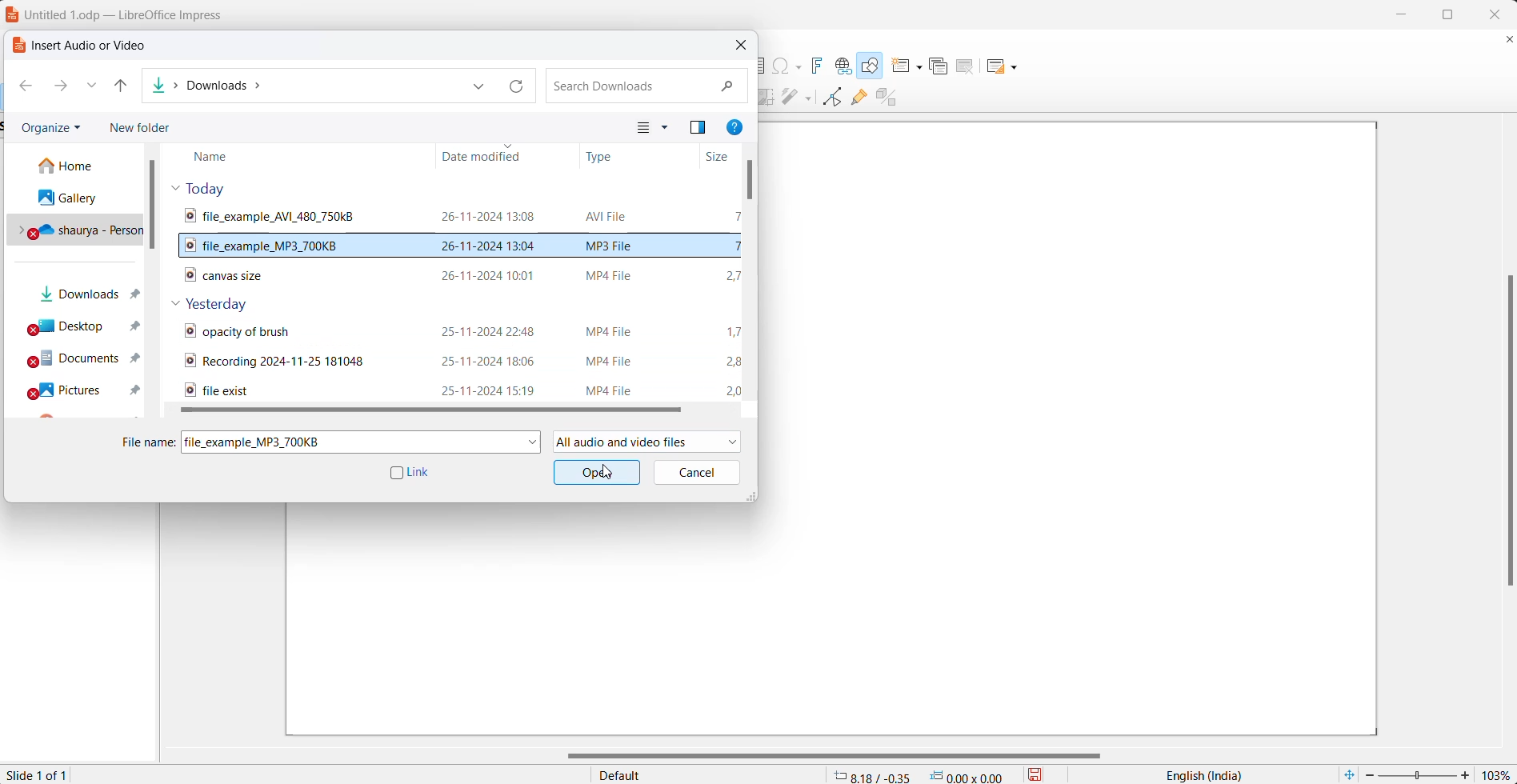 The height and width of the screenshot is (784, 1517). I want to click on get help, so click(738, 129).